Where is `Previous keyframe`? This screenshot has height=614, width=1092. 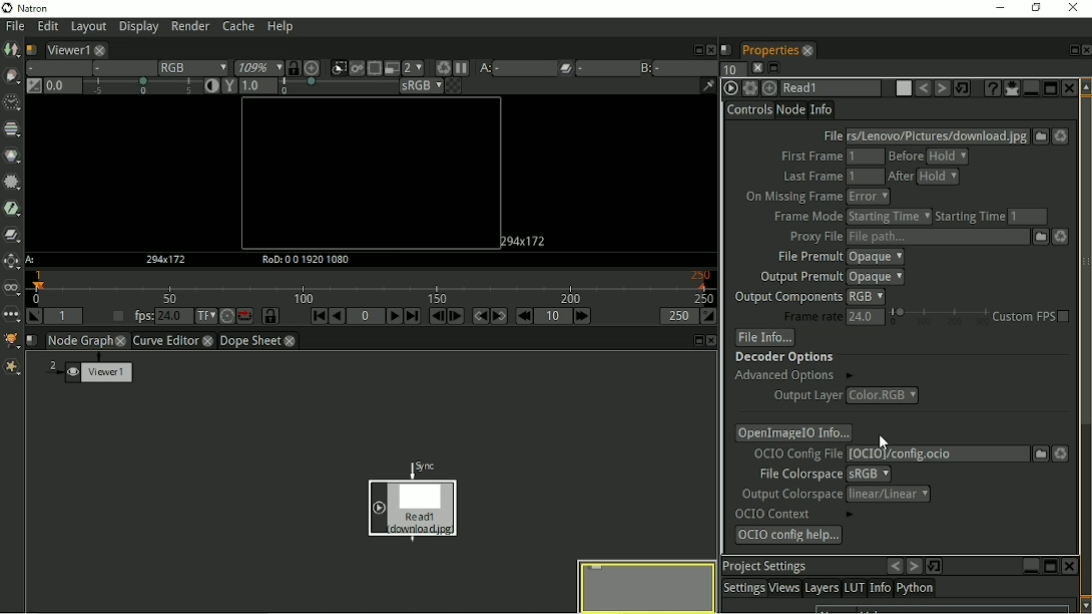
Previous keyframe is located at coordinates (480, 316).